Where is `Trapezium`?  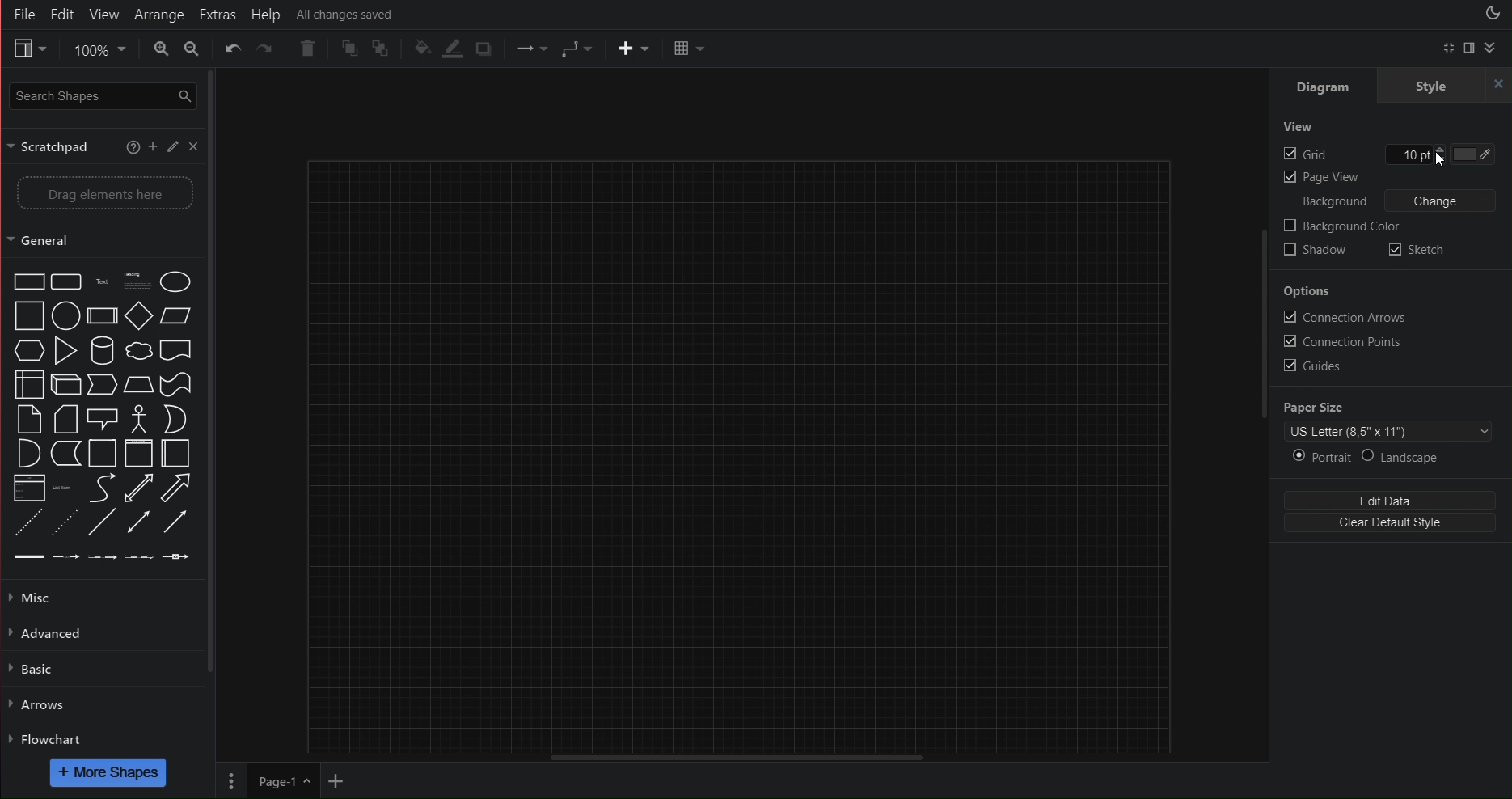 Trapezium is located at coordinates (175, 313).